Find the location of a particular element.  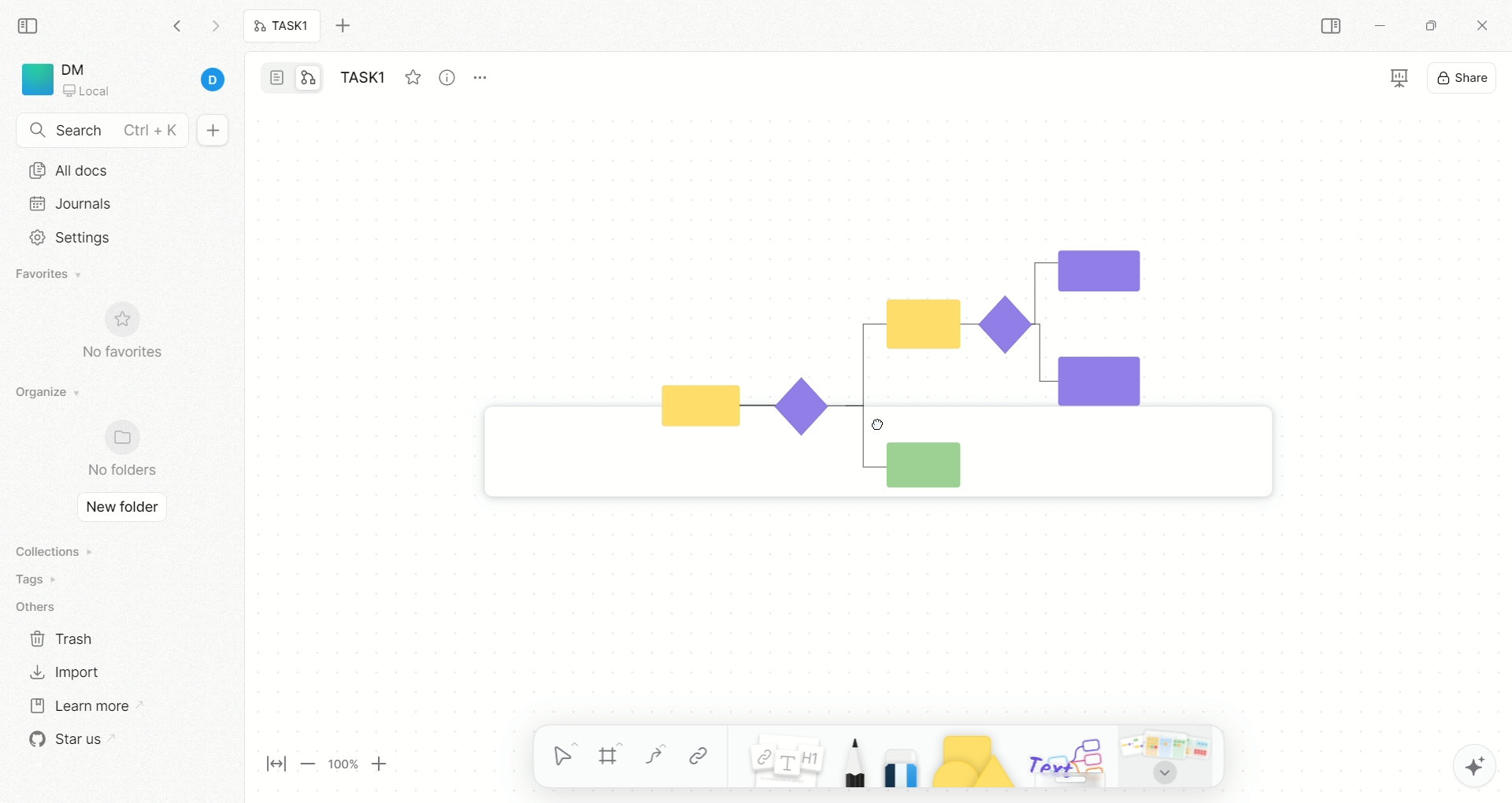

journals is located at coordinates (74, 203).